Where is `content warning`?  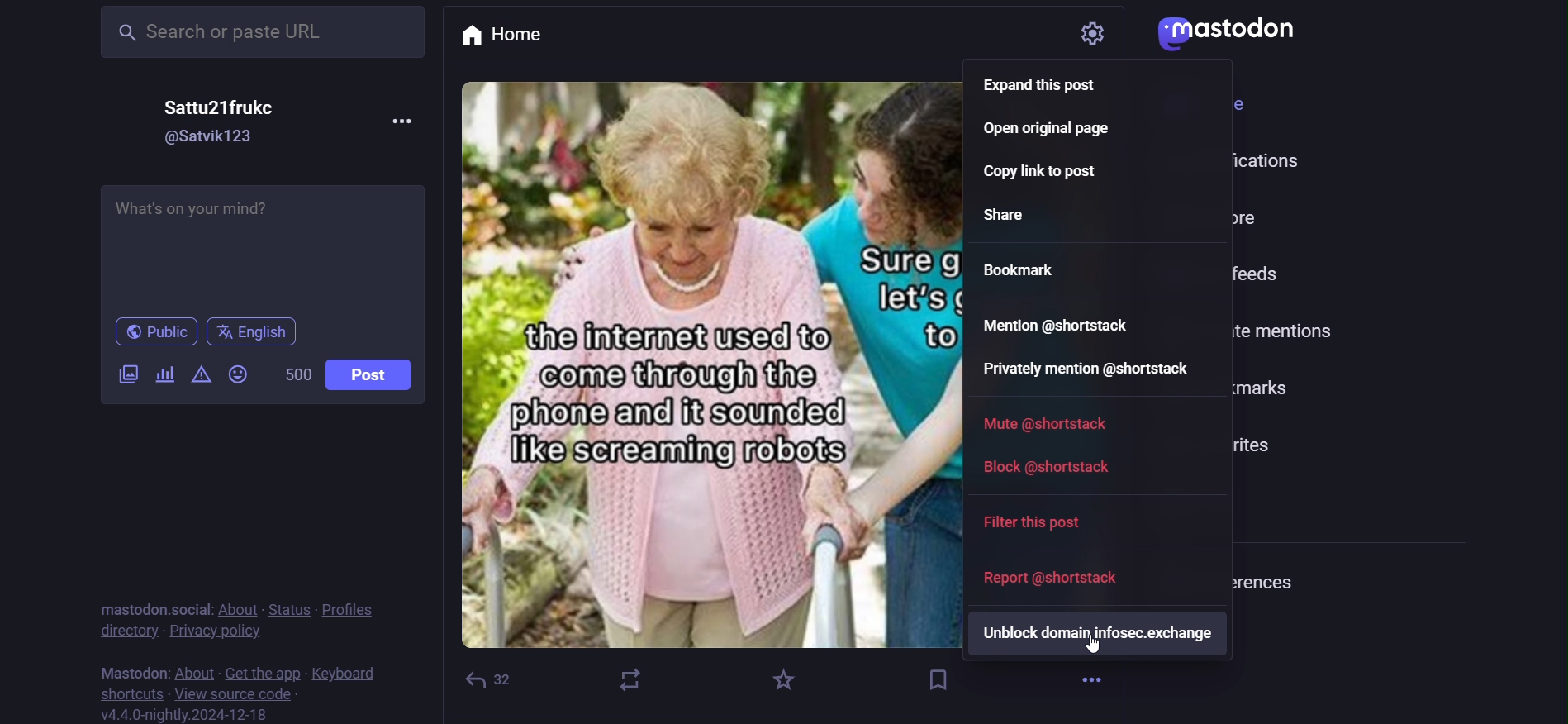 content warning is located at coordinates (204, 374).